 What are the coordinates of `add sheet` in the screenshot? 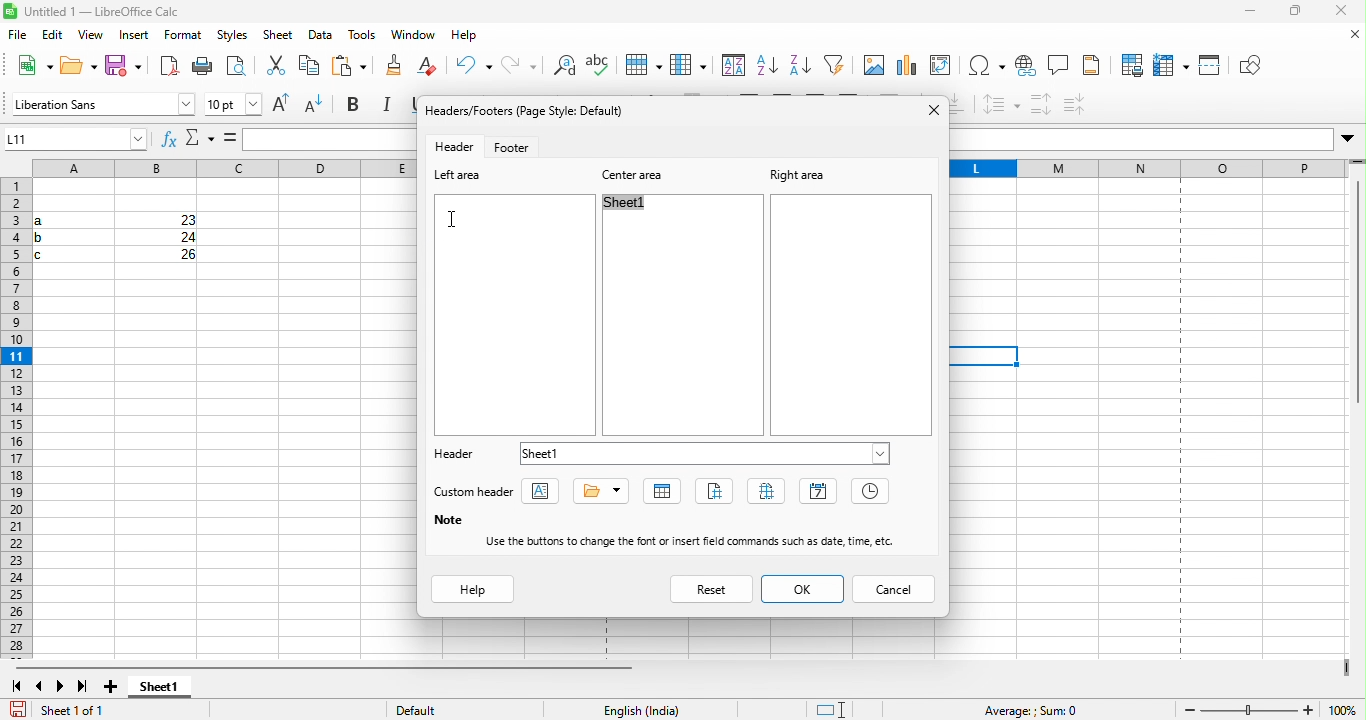 It's located at (113, 681).